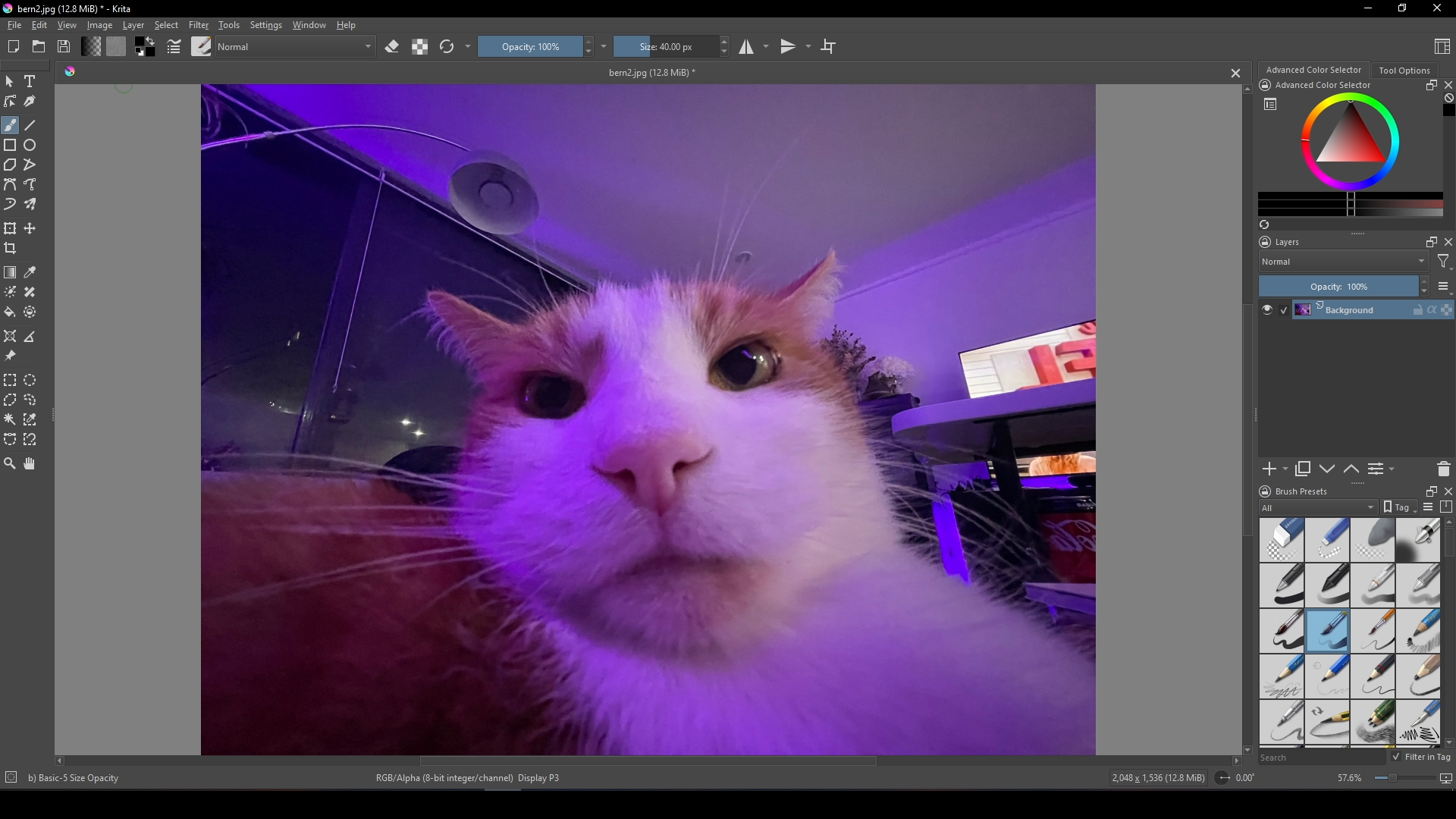  I want to click on Similar color selection tool, so click(30, 419).